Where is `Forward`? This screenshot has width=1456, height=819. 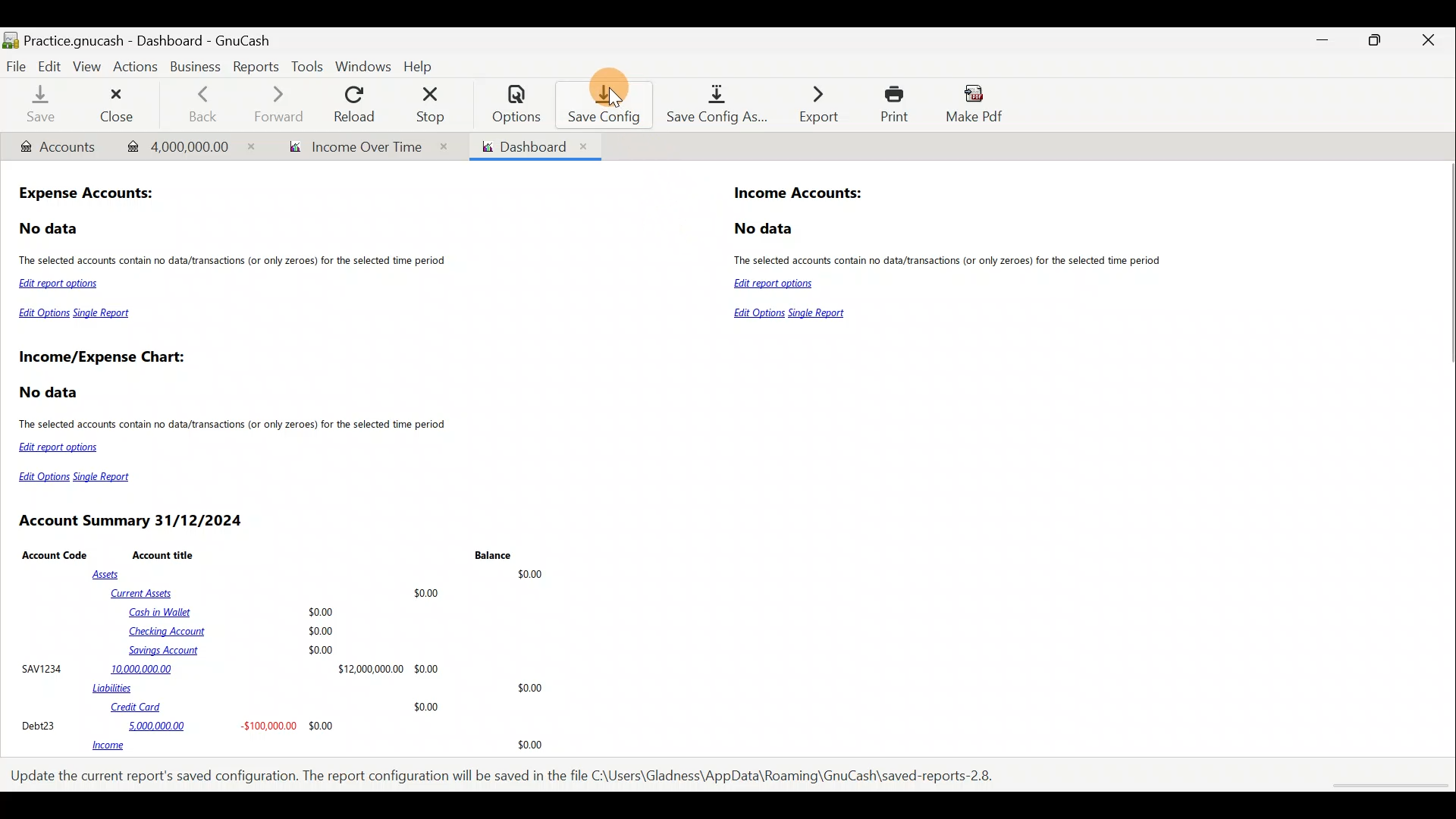
Forward is located at coordinates (284, 104).